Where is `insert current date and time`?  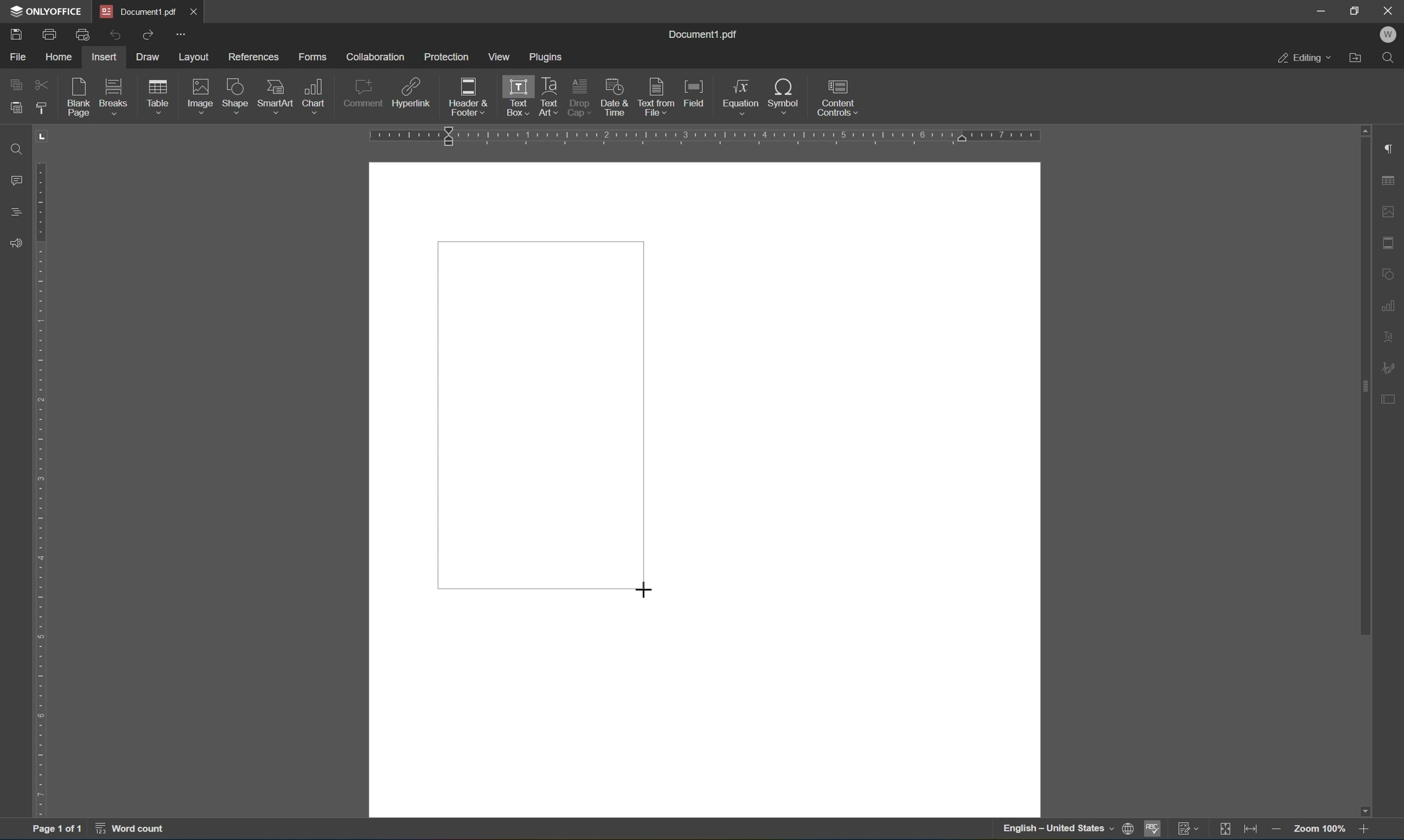 insert current date and time is located at coordinates (613, 96).